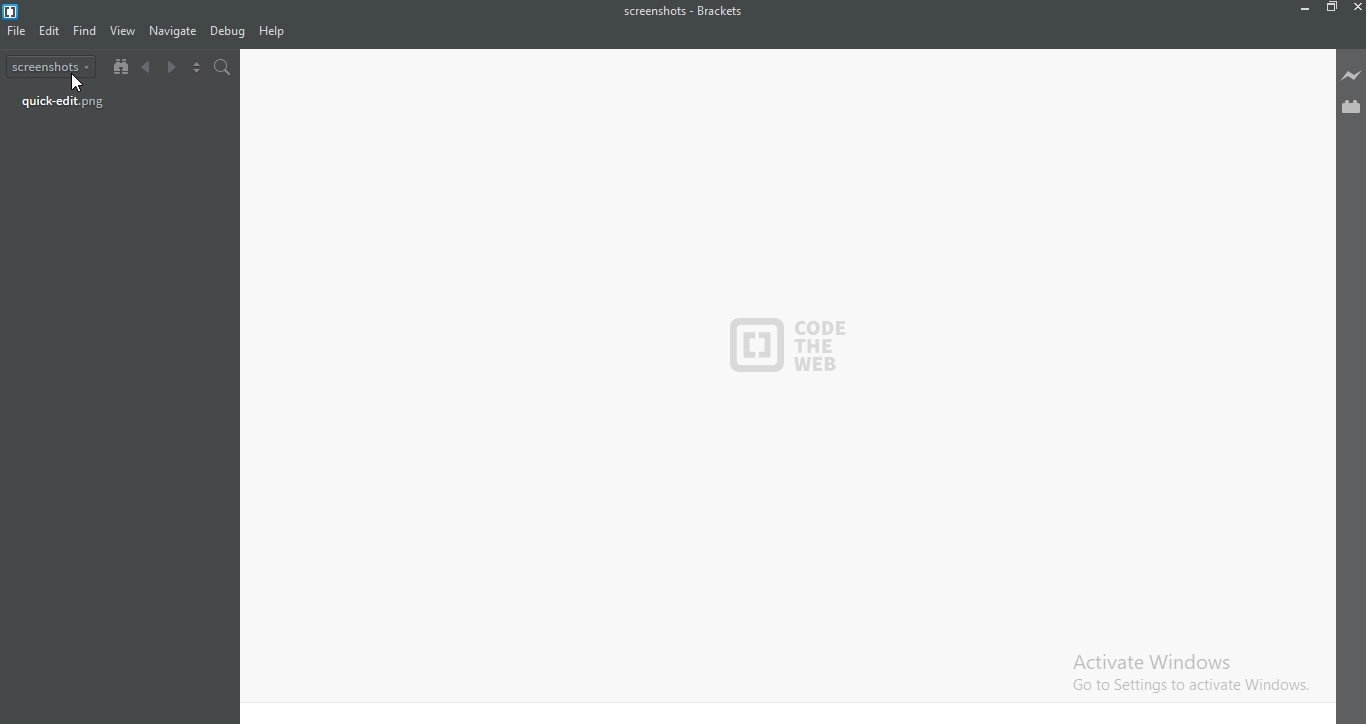 The image size is (1366, 724). What do you see at coordinates (51, 65) in the screenshot?
I see `screenshots dropdown` at bounding box center [51, 65].